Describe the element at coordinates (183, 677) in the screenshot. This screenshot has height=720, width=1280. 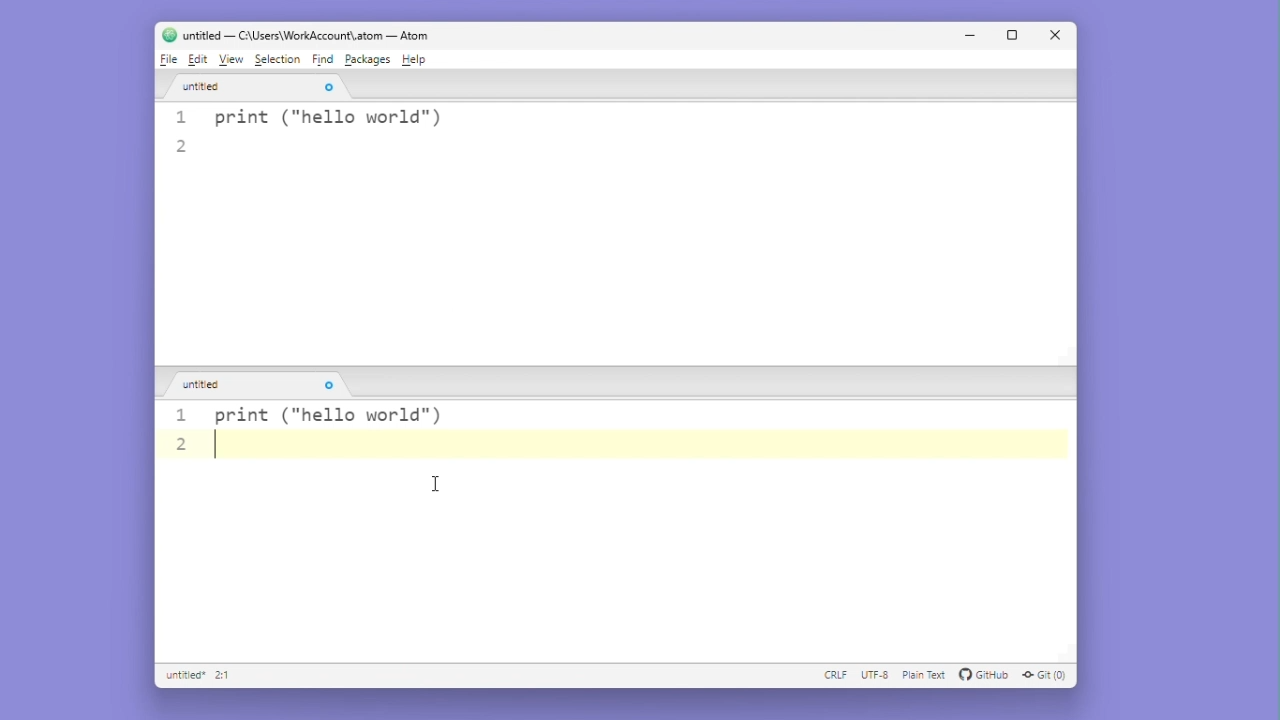
I see `Untilled` at that location.